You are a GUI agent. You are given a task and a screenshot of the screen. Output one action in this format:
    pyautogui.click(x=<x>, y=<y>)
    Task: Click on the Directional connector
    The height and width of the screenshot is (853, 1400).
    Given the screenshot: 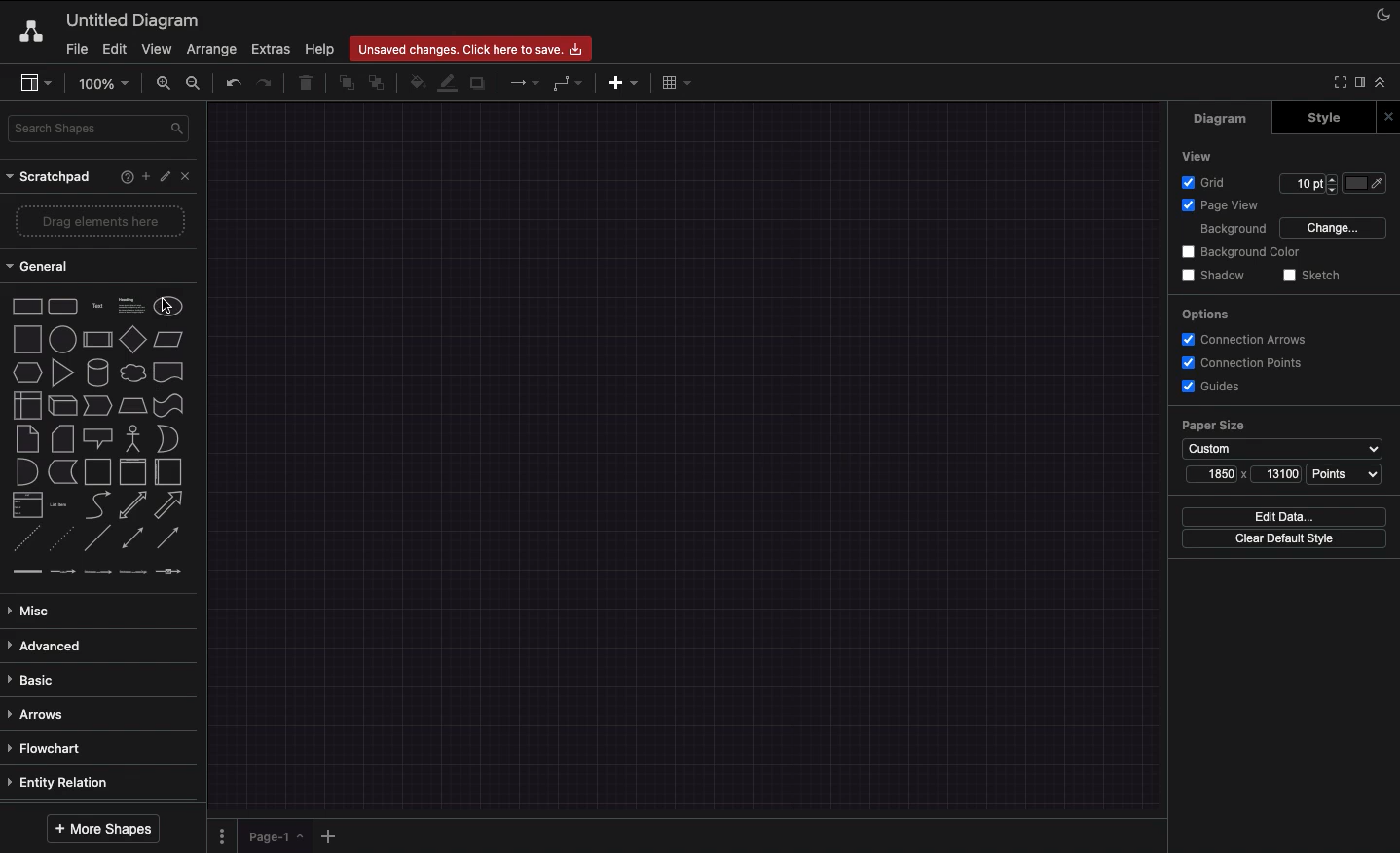 What is the action you would take?
    pyautogui.click(x=171, y=538)
    